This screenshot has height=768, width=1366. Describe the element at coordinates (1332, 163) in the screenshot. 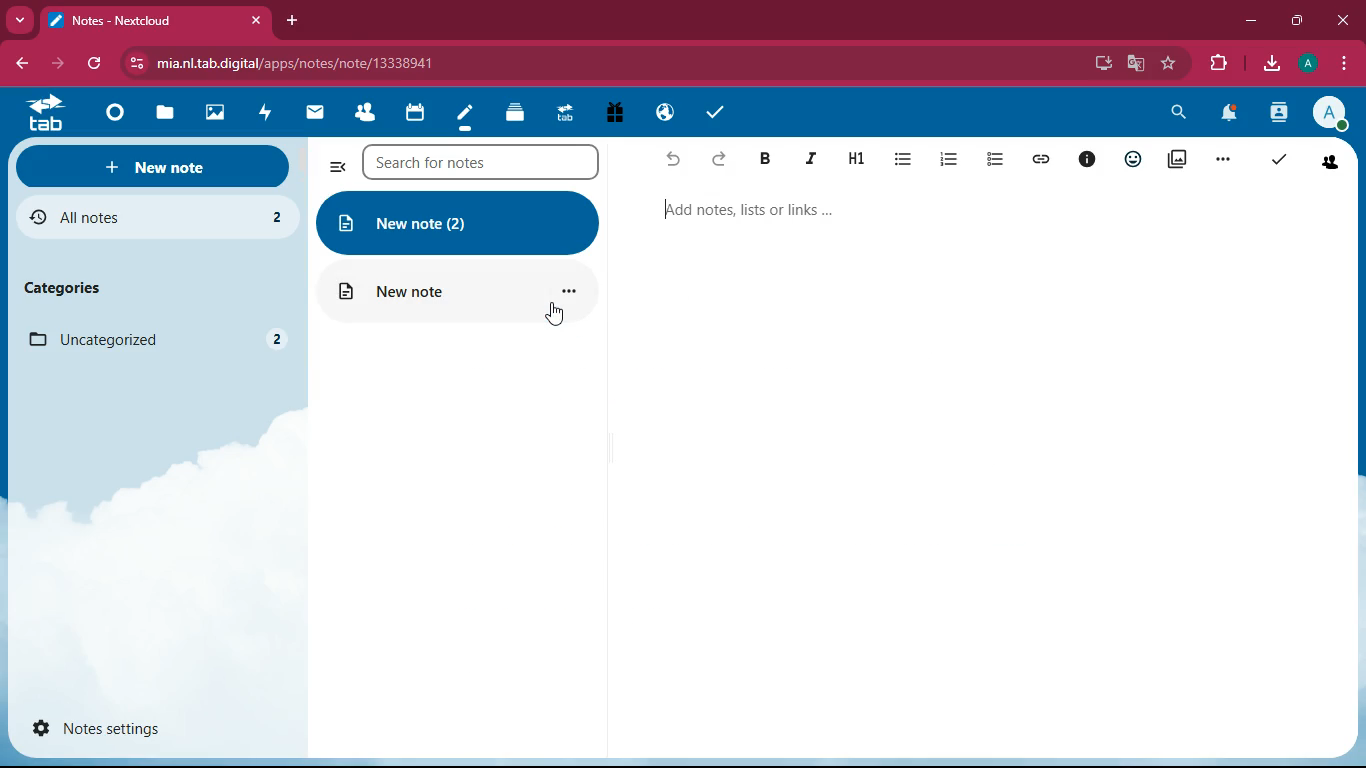

I see `friends` at that location.